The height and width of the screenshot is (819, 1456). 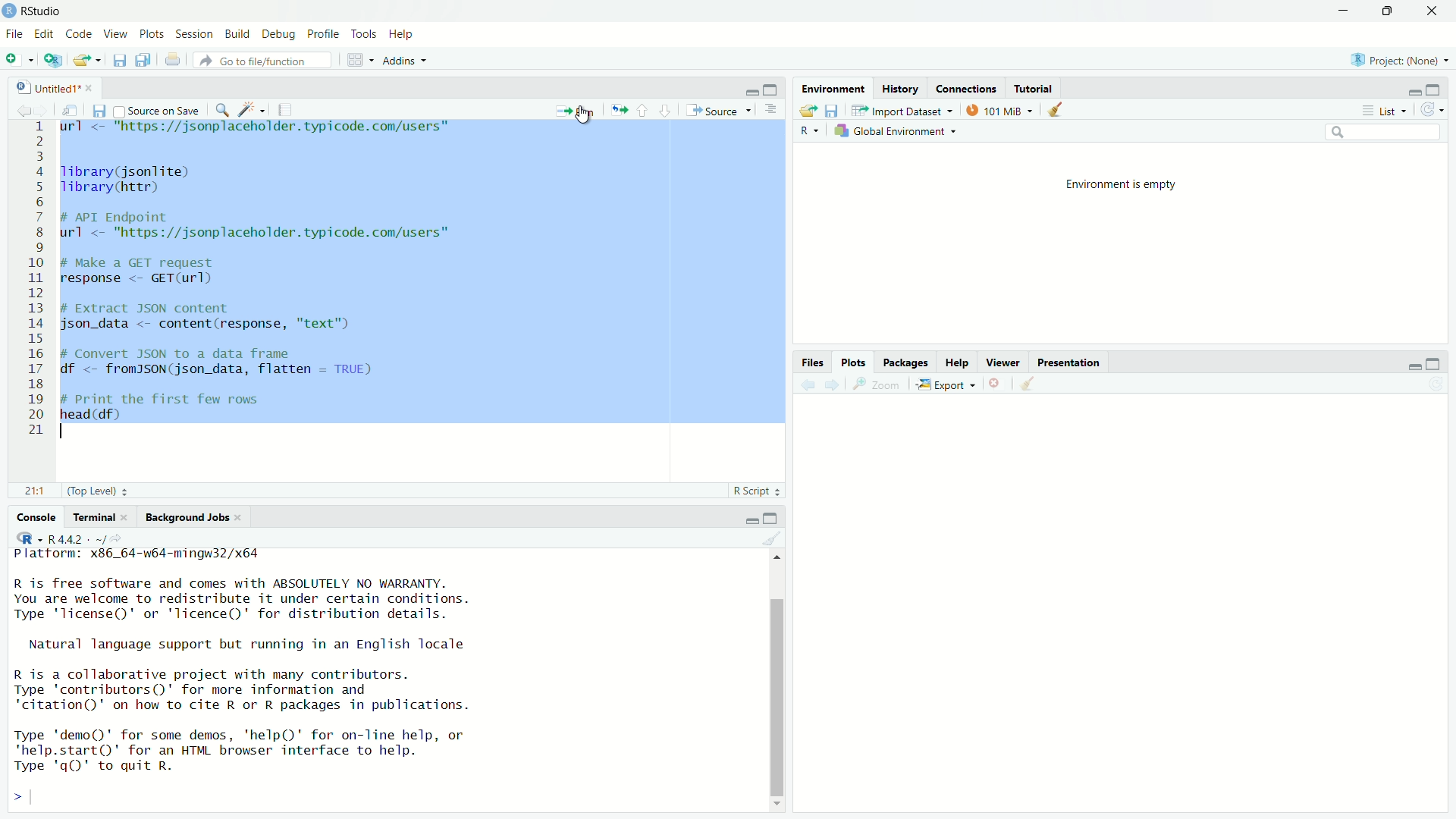 What do you see at coordinates (1384, 134) in the screenshot?
I see `Search` at bounding box center [1384, 134].